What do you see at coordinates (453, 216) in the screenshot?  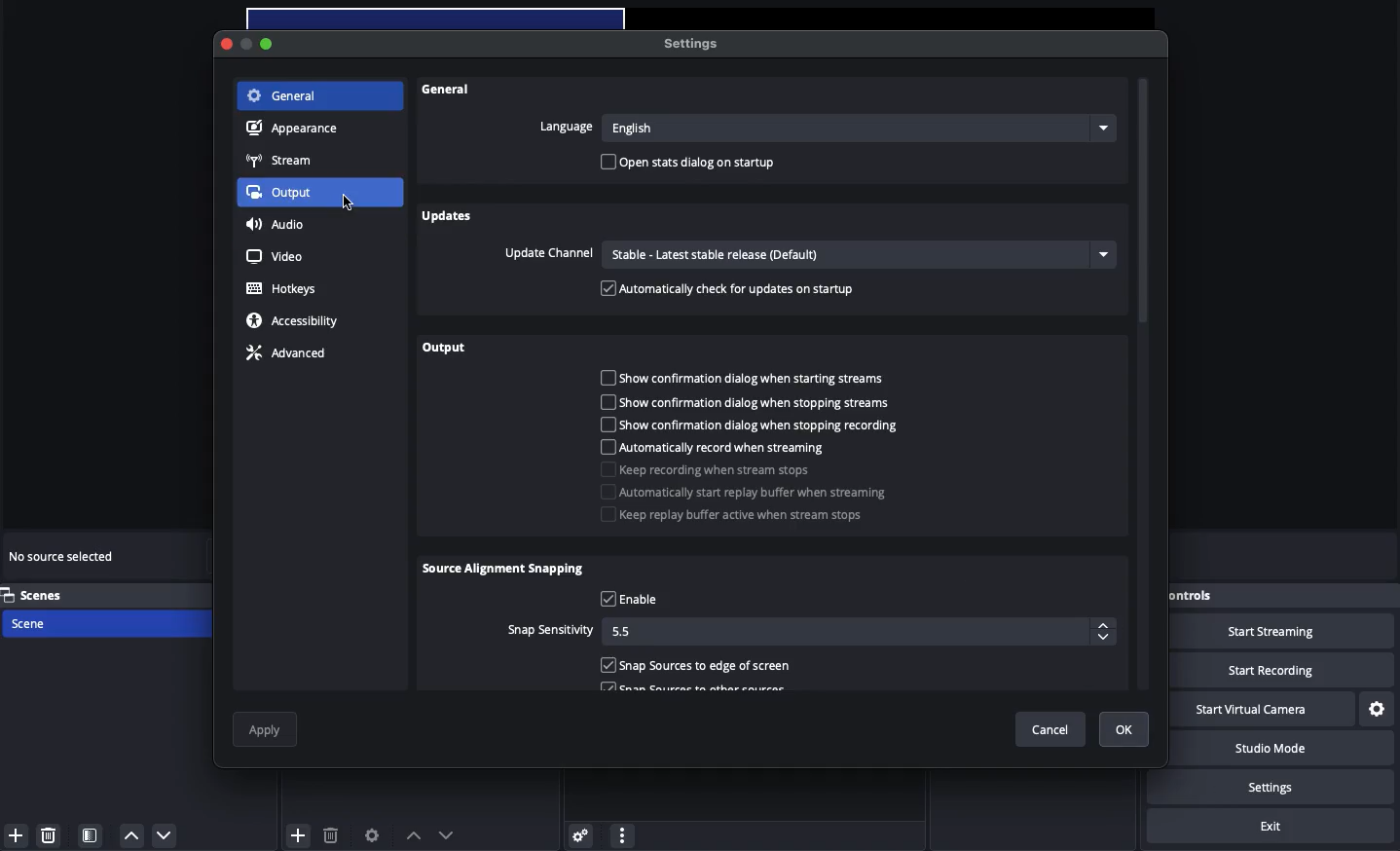 I see `Updates` at bounding box center [453, 216].